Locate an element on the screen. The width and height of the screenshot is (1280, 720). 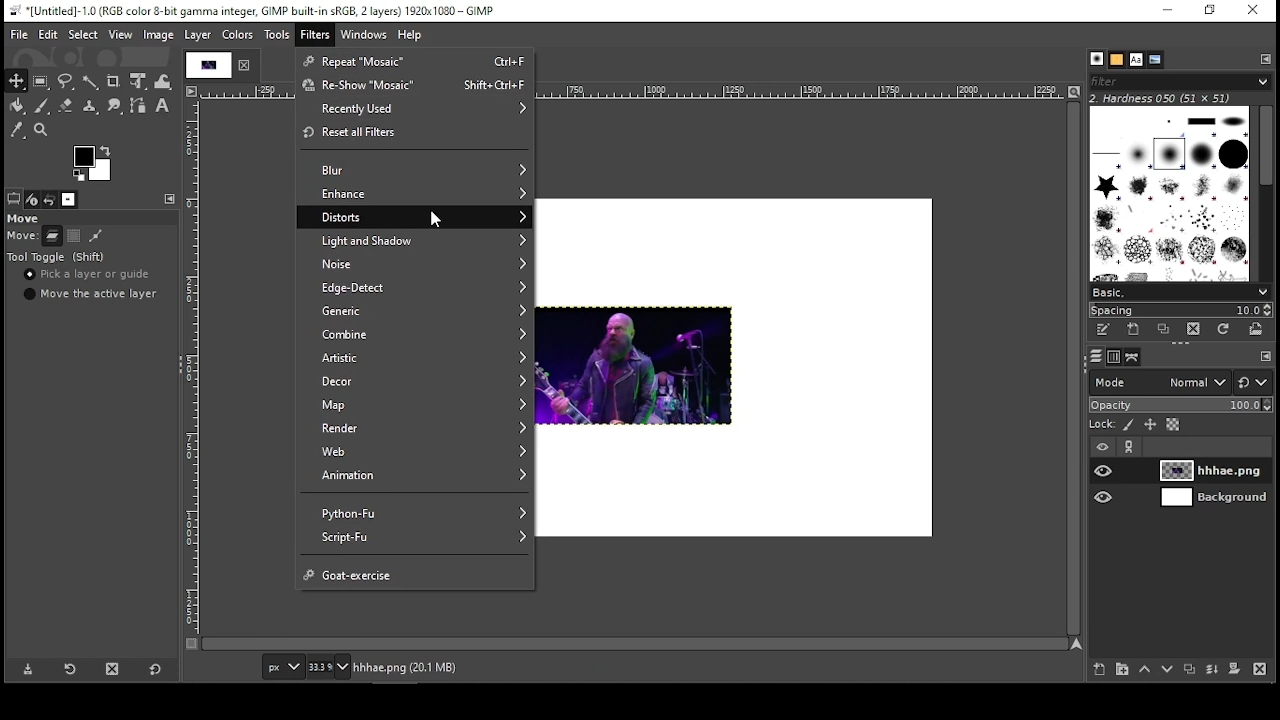
duplicate this brush is located at coordinates (1161, 330).